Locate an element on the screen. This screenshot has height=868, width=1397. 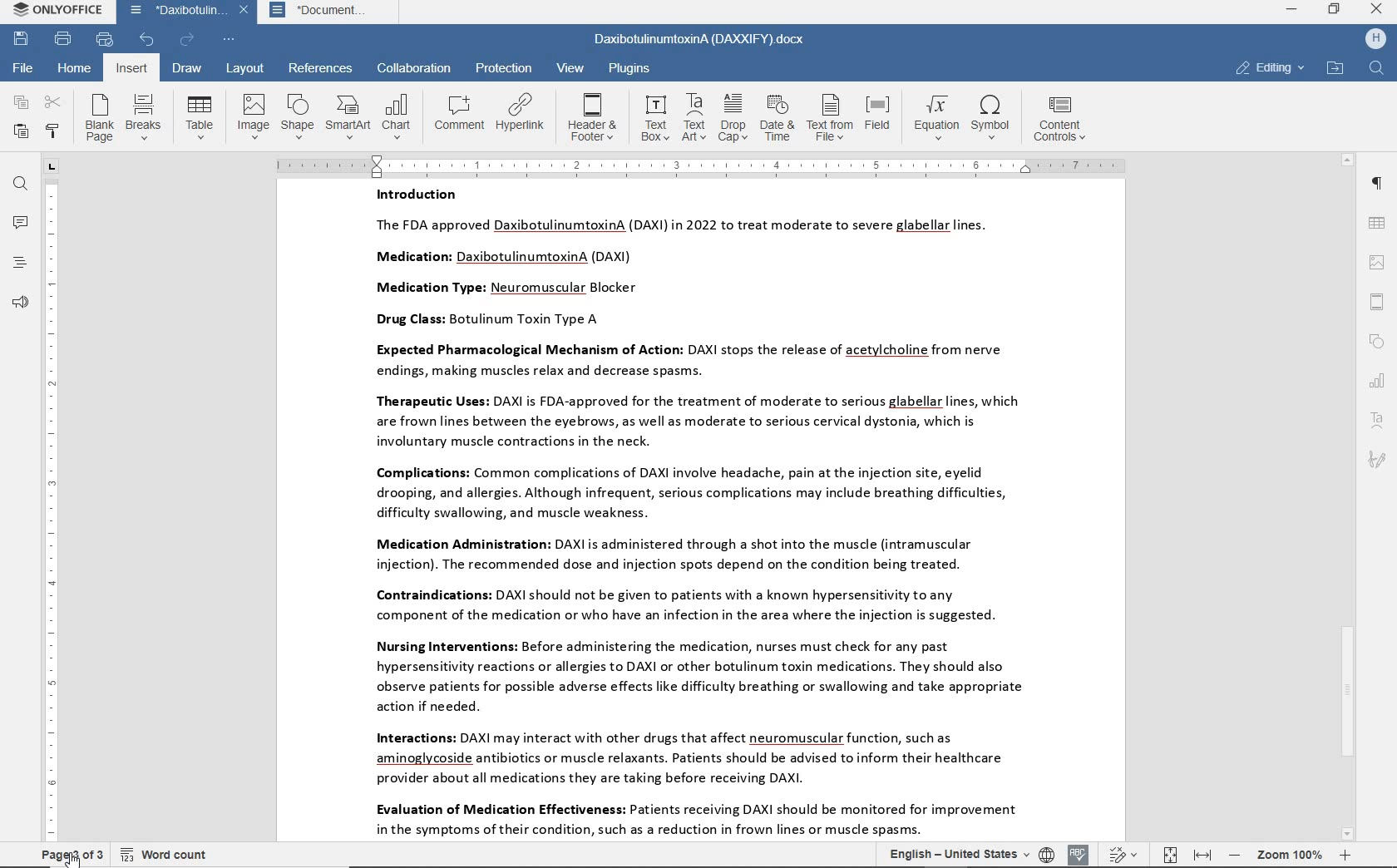
view is located at coordinates (569, 67).